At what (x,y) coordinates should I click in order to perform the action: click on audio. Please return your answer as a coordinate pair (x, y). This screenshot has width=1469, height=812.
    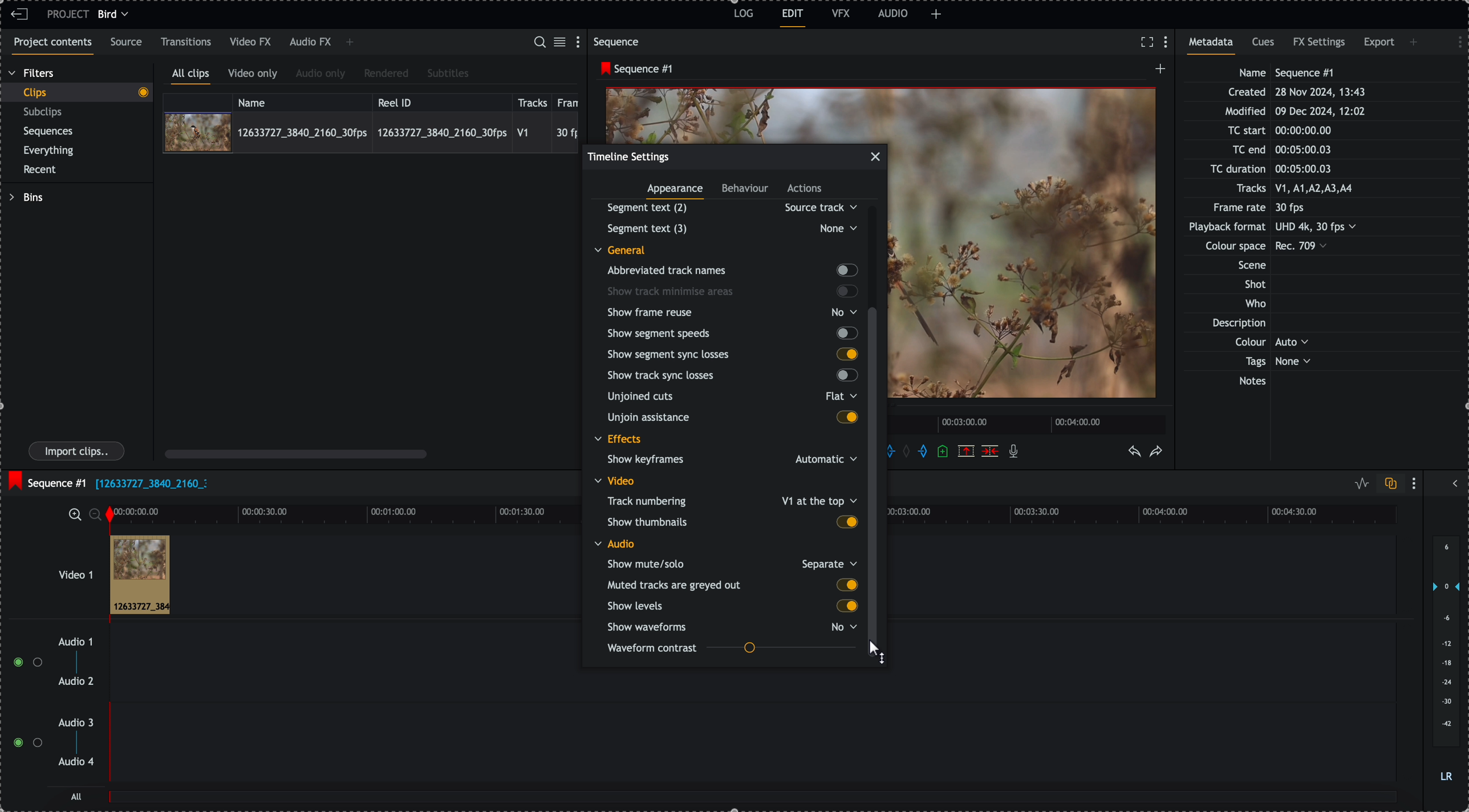
    Looking at the image, I should click on (615, 543).